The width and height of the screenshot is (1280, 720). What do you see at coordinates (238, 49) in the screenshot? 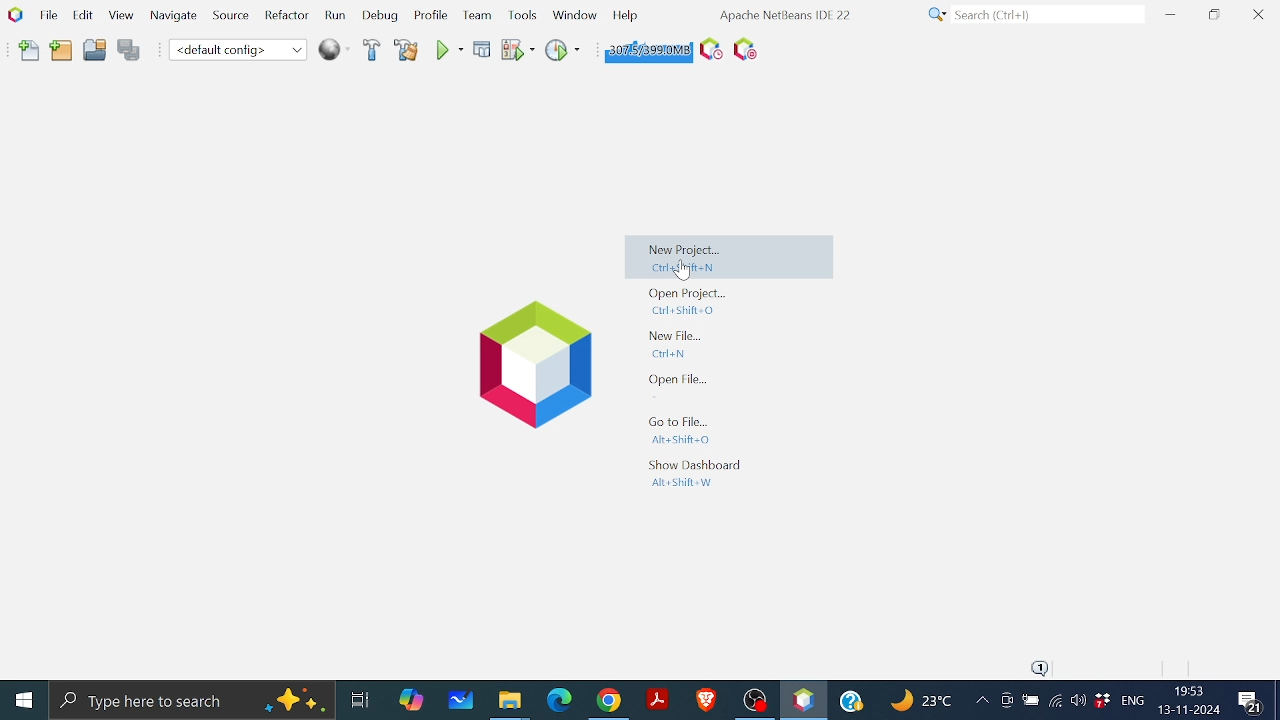
I see `Default coding` at bounding box center [238, 49].